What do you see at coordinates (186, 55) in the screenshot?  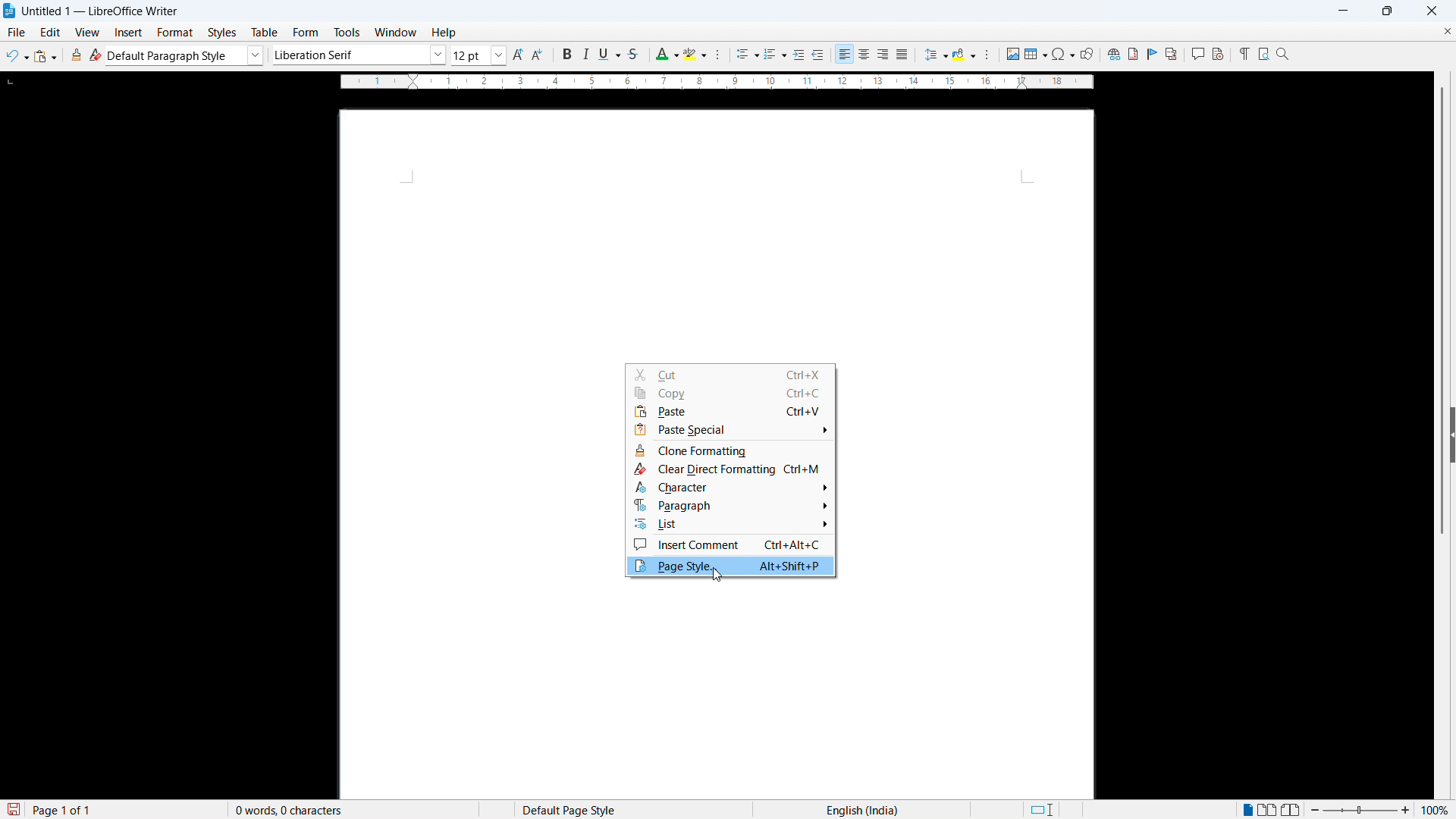 I see `Default paragraph style` at bounding box center [186, 55].